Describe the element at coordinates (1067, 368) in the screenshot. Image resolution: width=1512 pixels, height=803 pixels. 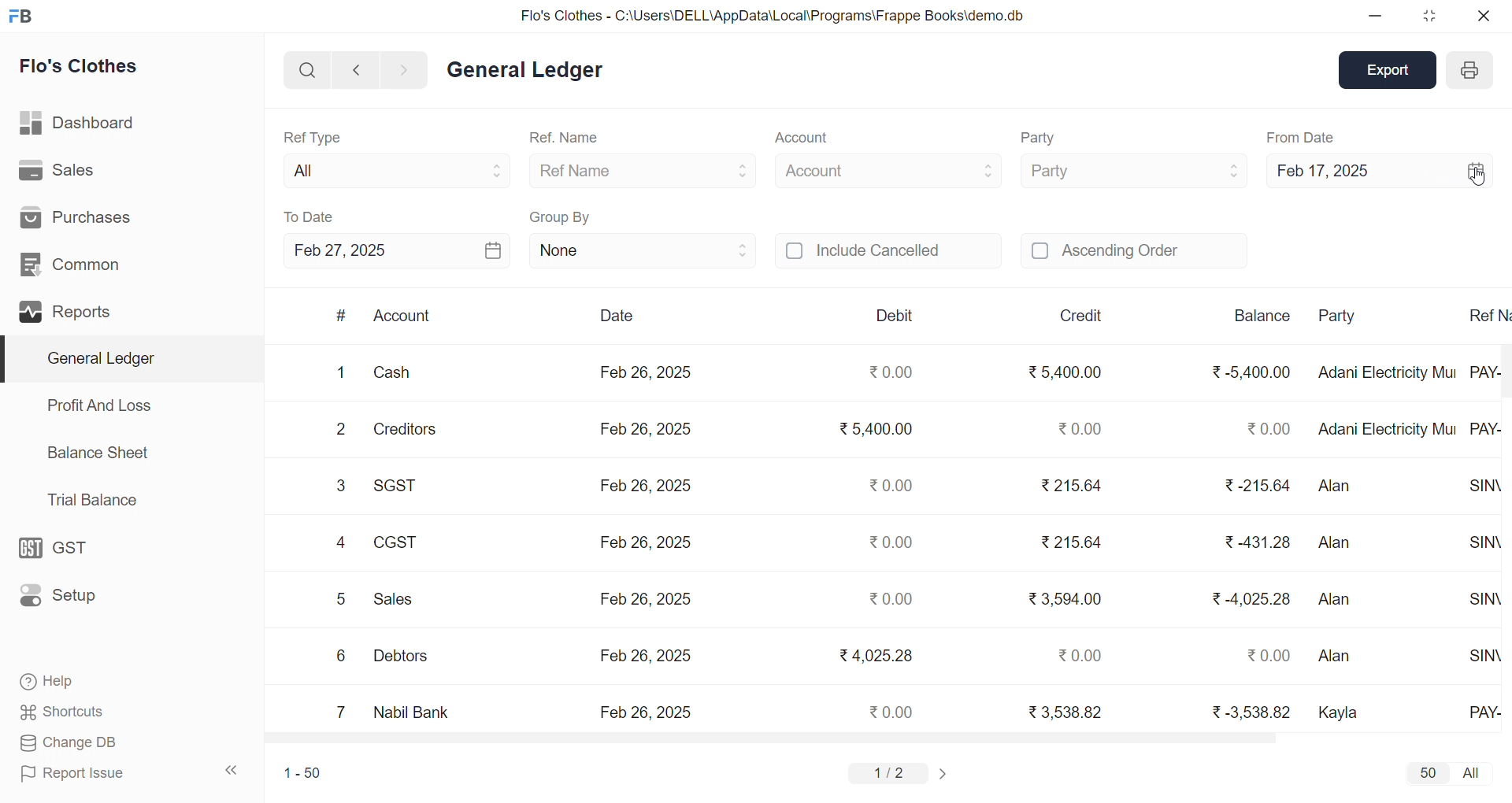
I see `₹ 5,400.00` at that location.